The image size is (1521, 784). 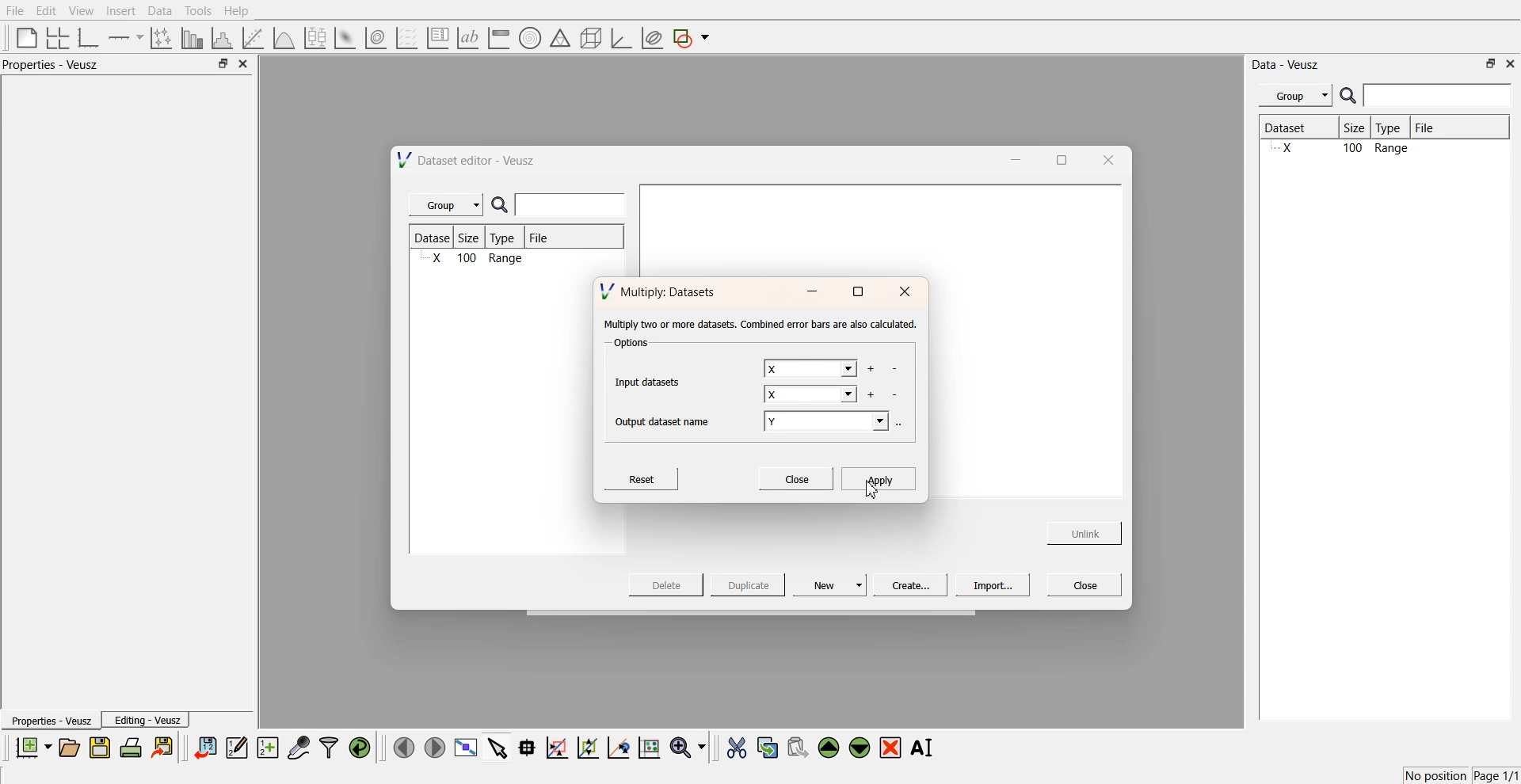 What do you see at coordinates (242, 13) in the screenshot?
I see `Help` at bounding box center [242, 13].